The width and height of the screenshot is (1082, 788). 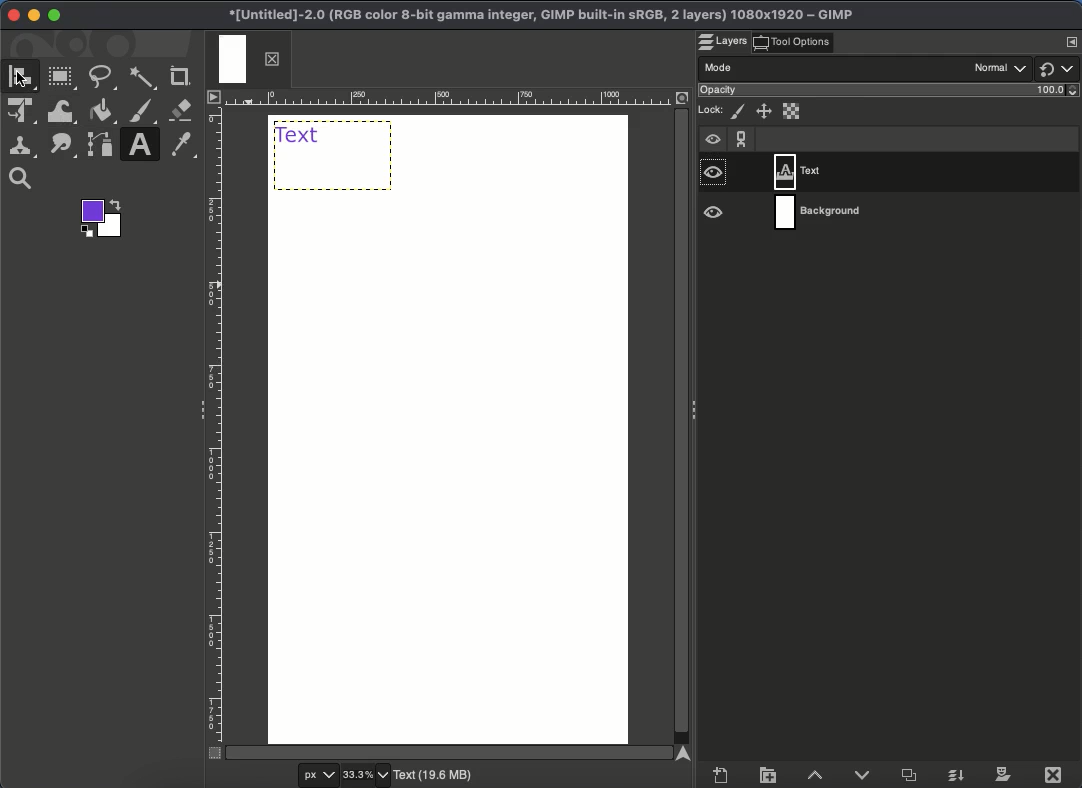 I want to click on Clone, so click(x=24, y=146).